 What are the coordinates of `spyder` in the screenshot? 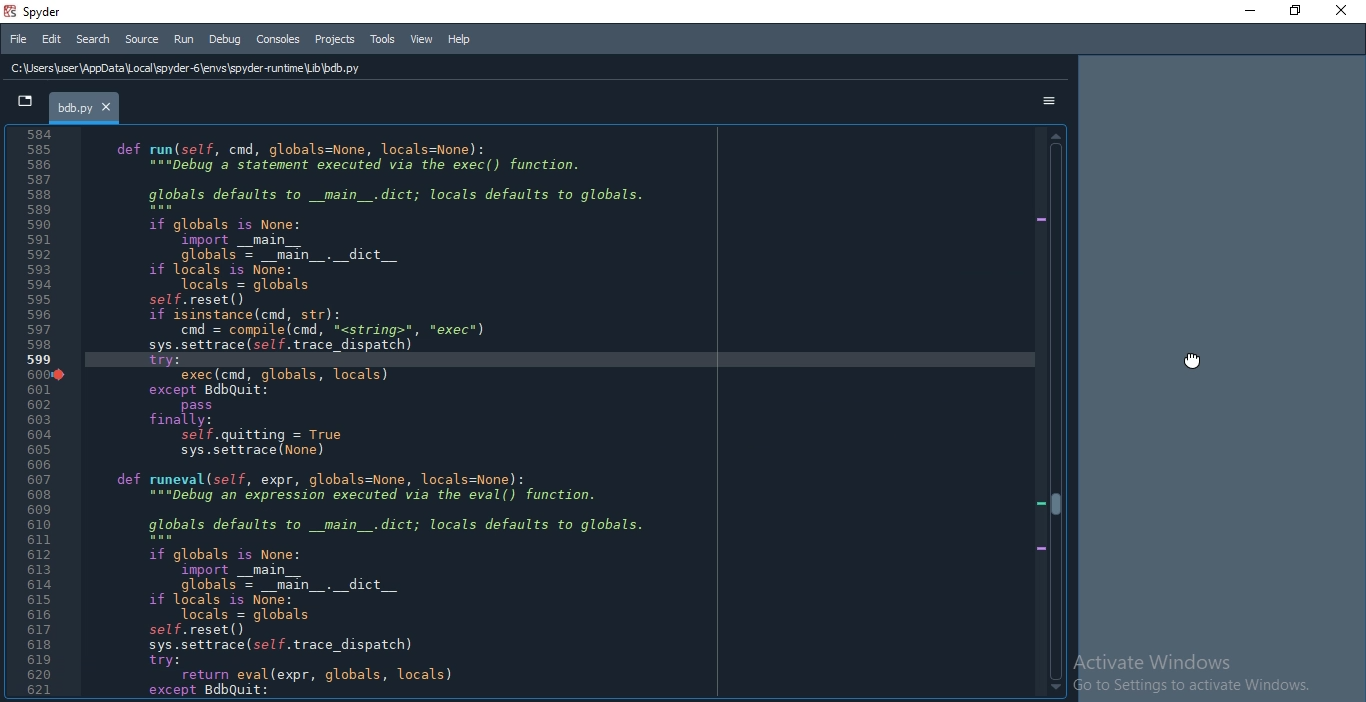 It's located at (46, 11).